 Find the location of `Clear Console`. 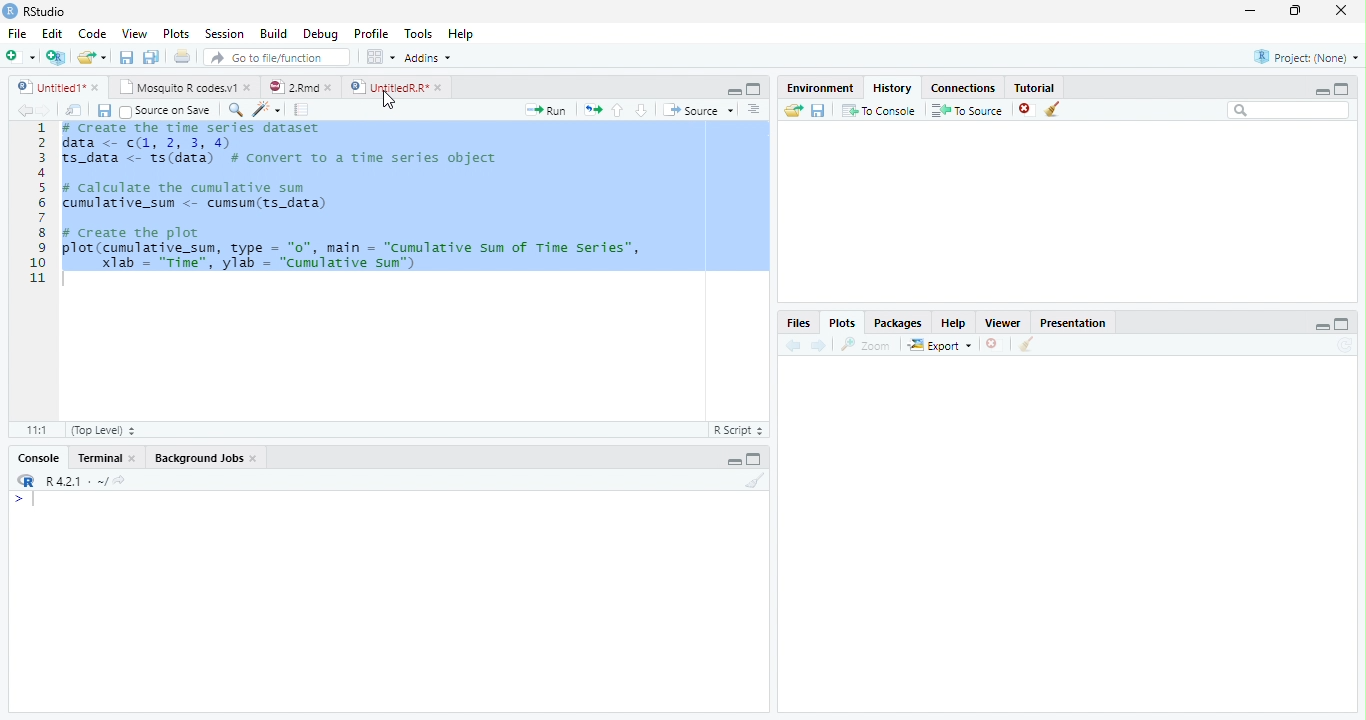

Clear Console is located at coordinates (1051, 112).